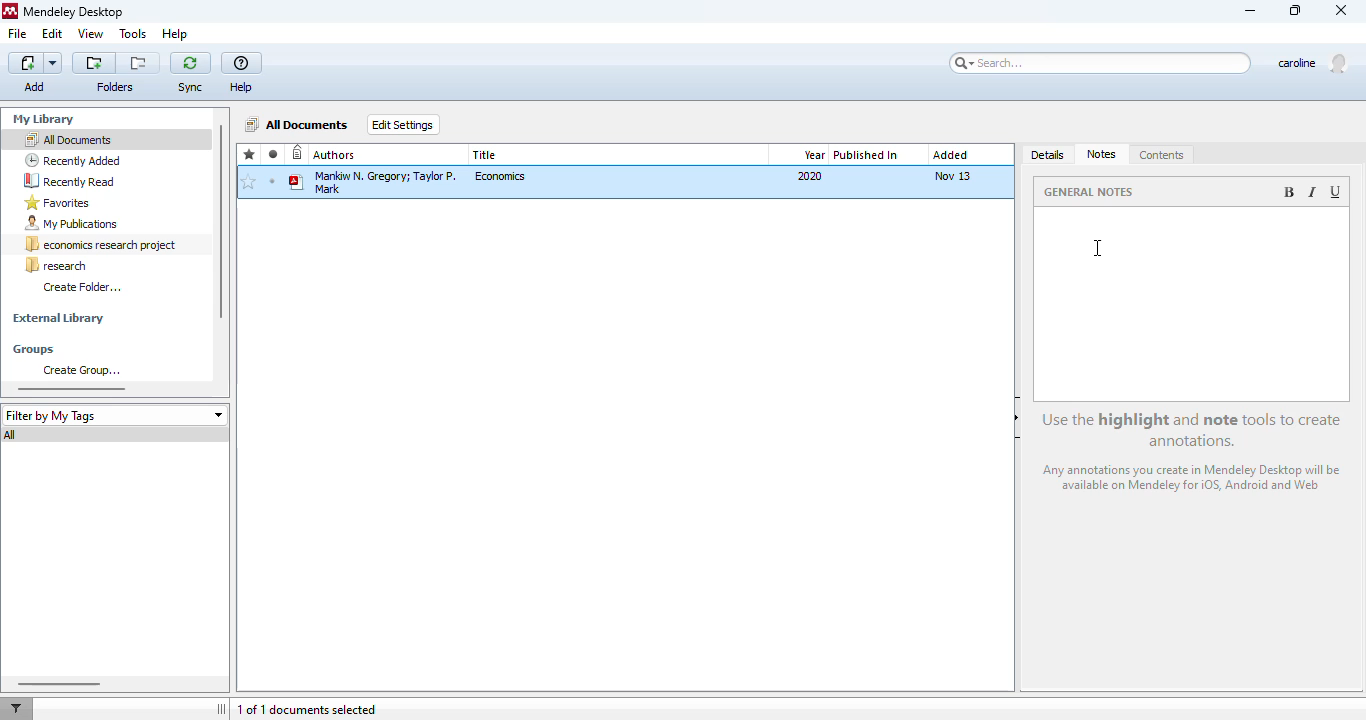  I want to click on read/unread, so click(274, 154).